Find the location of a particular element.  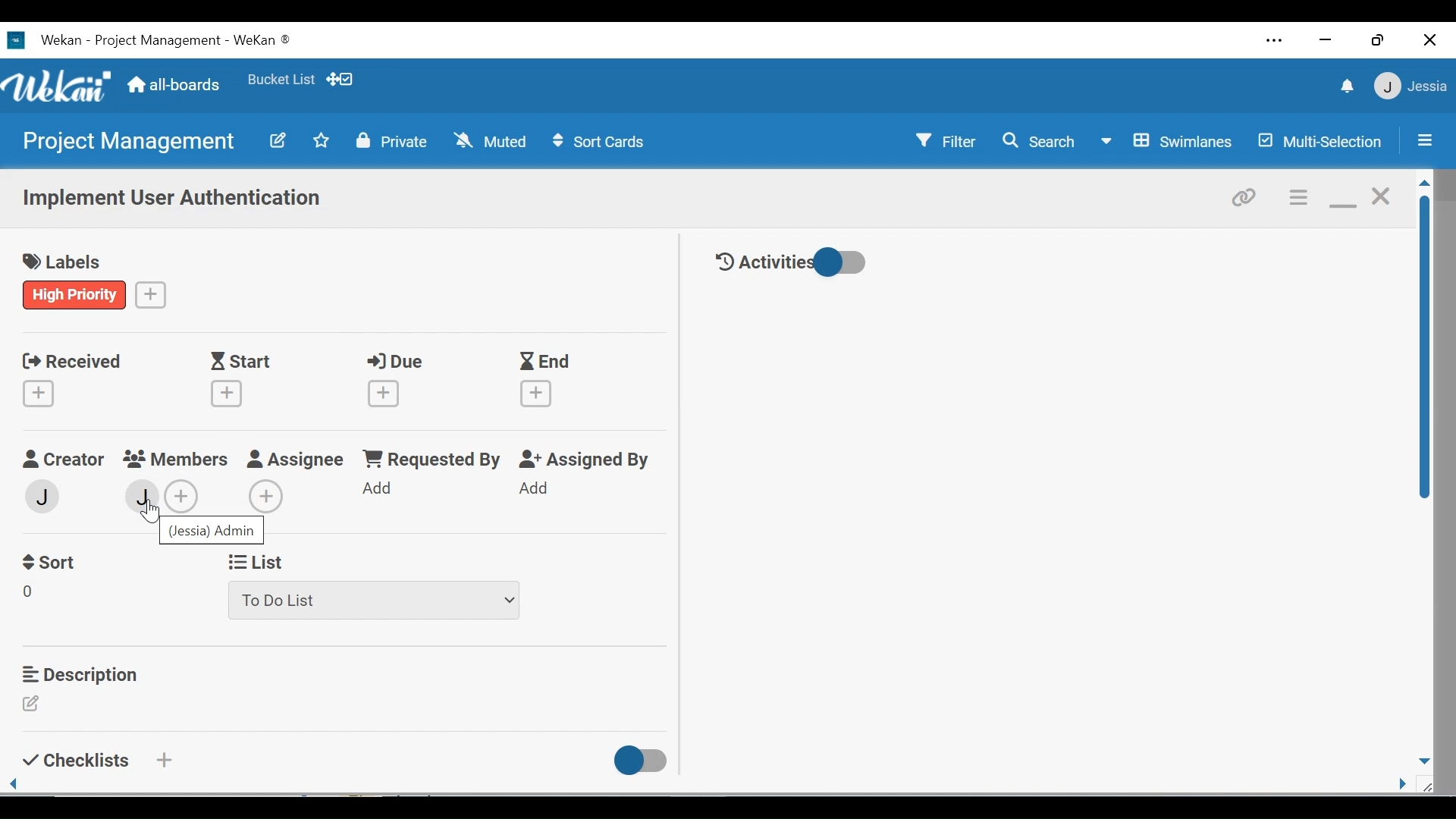

Restore is located at coordinates (1376, 41).